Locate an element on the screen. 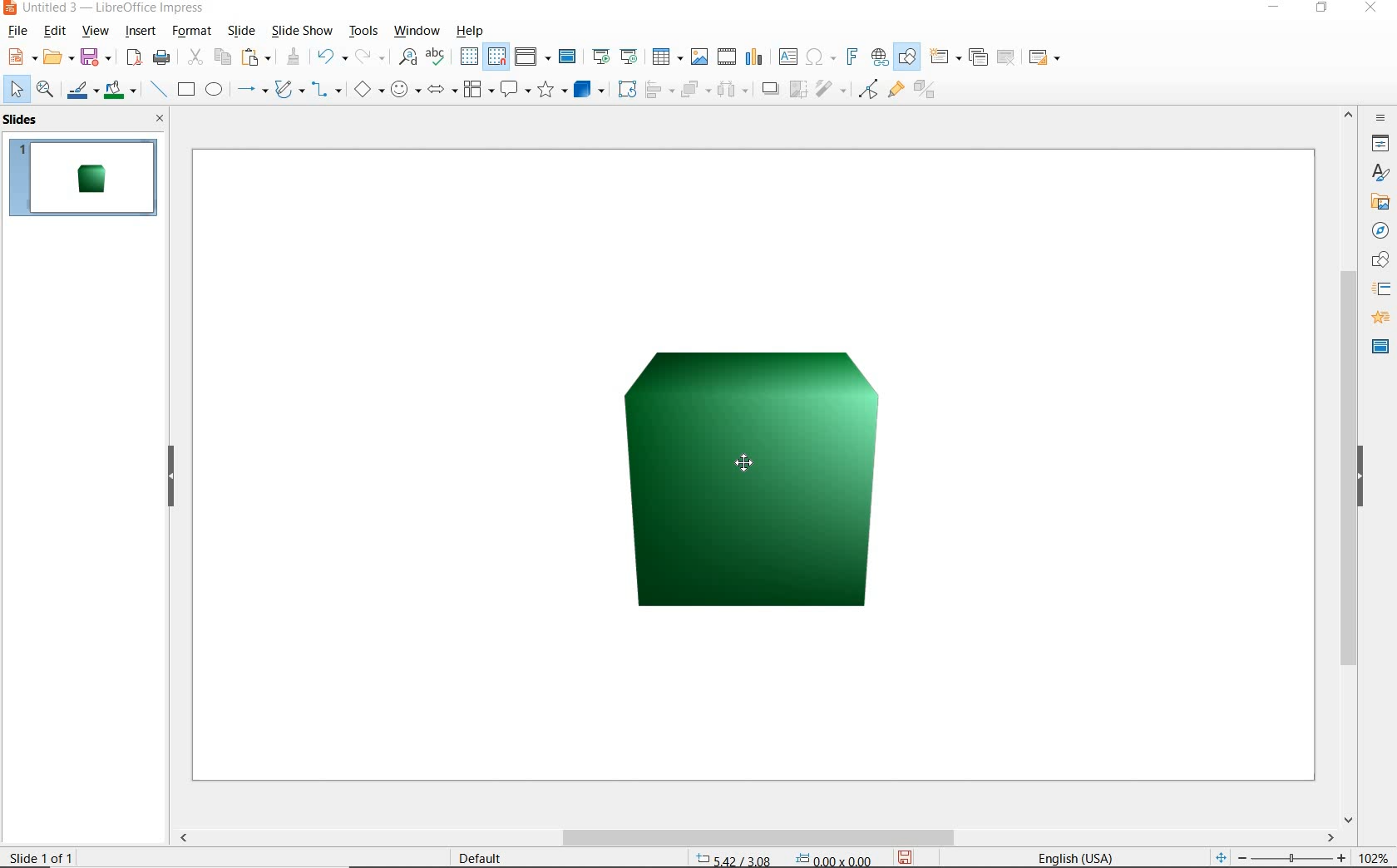 This screenshot has width=1397, height=868. flowchart is located at coordinates (478, 89).